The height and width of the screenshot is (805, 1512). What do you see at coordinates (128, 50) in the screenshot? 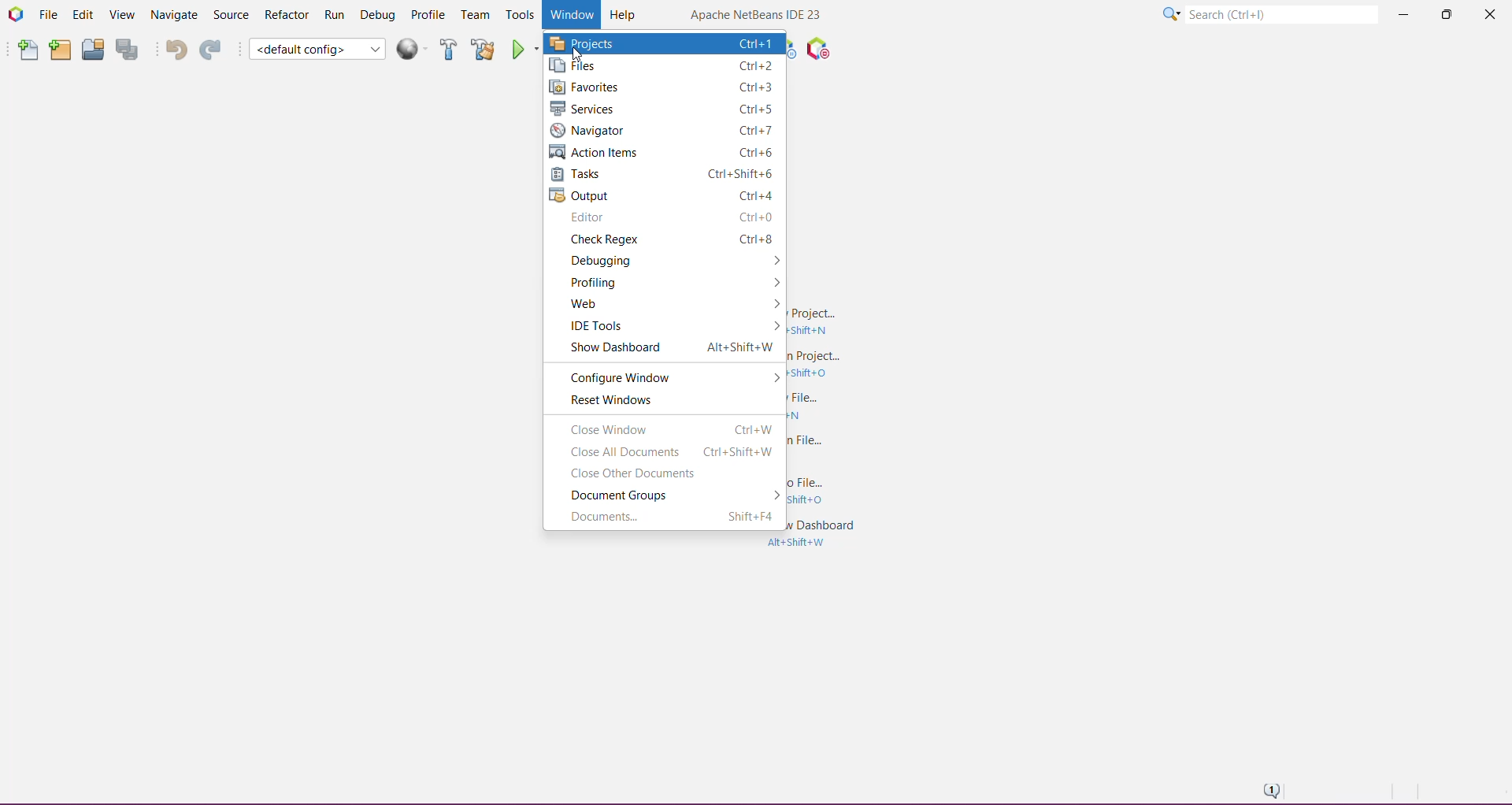
I see `Save All` at bounding box center [128, 50].